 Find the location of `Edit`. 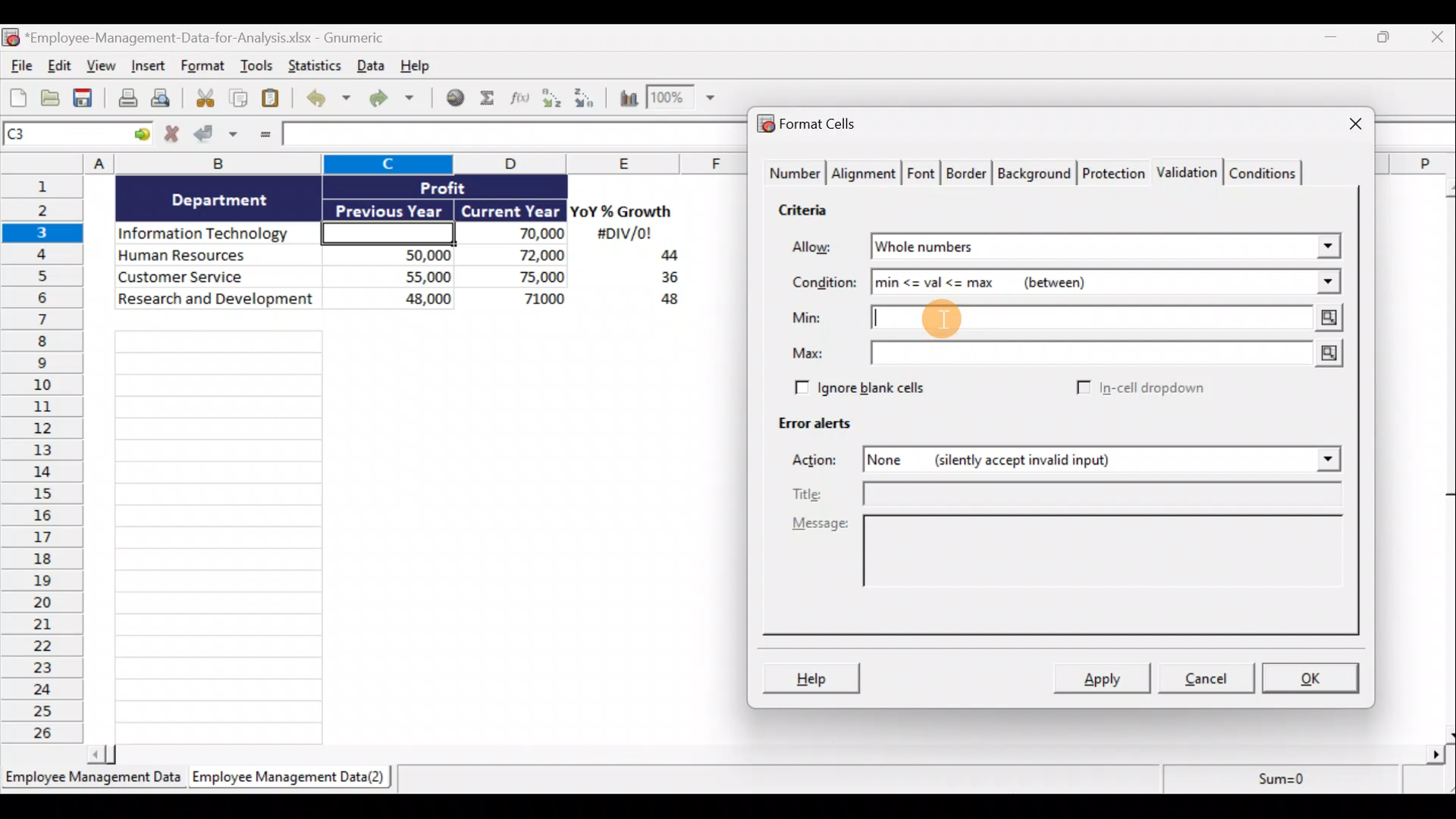

Edit is located at coordinates (58, 67).